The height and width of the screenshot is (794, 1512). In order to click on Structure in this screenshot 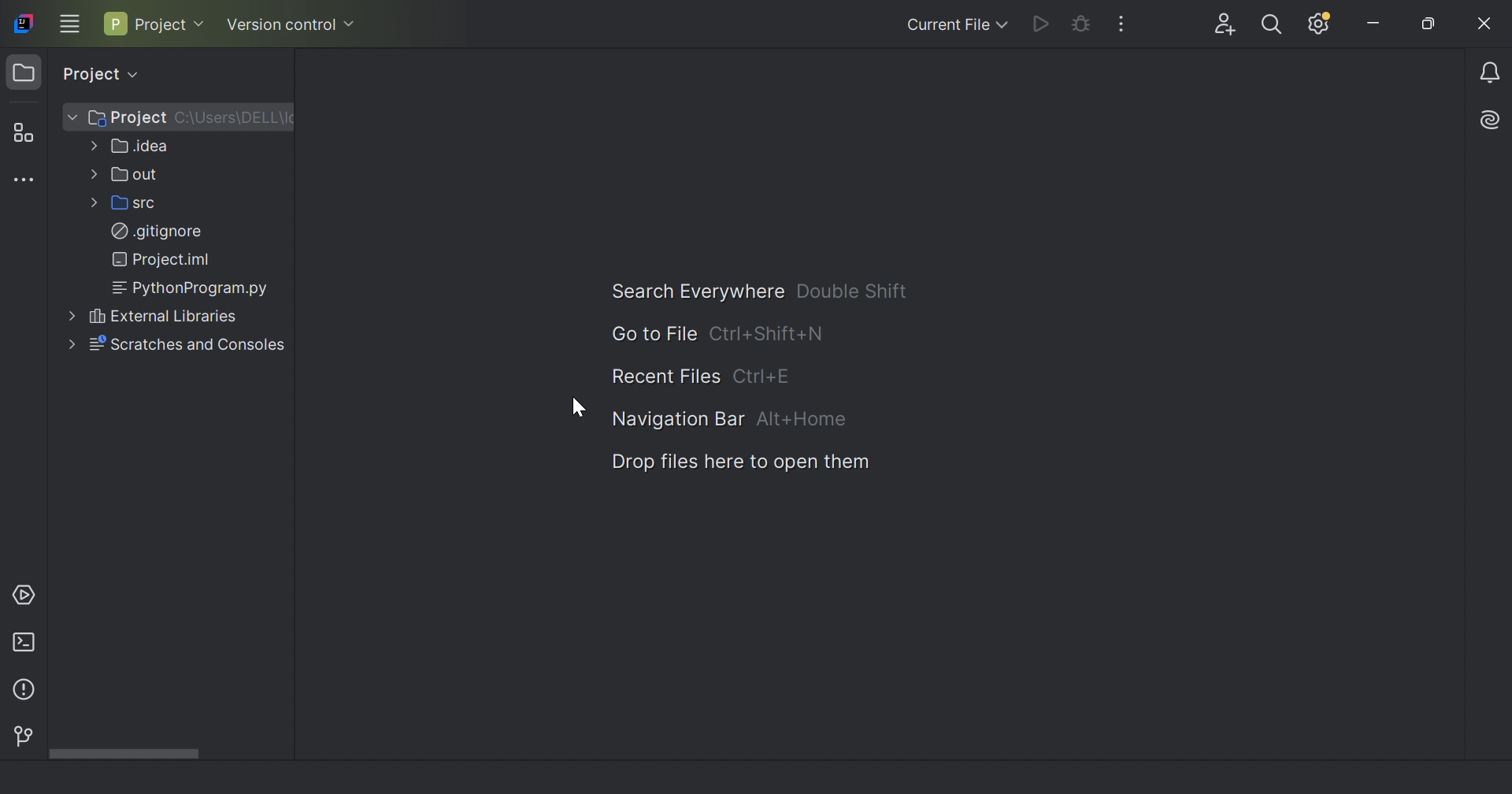, I will do `click(24, 134)`.